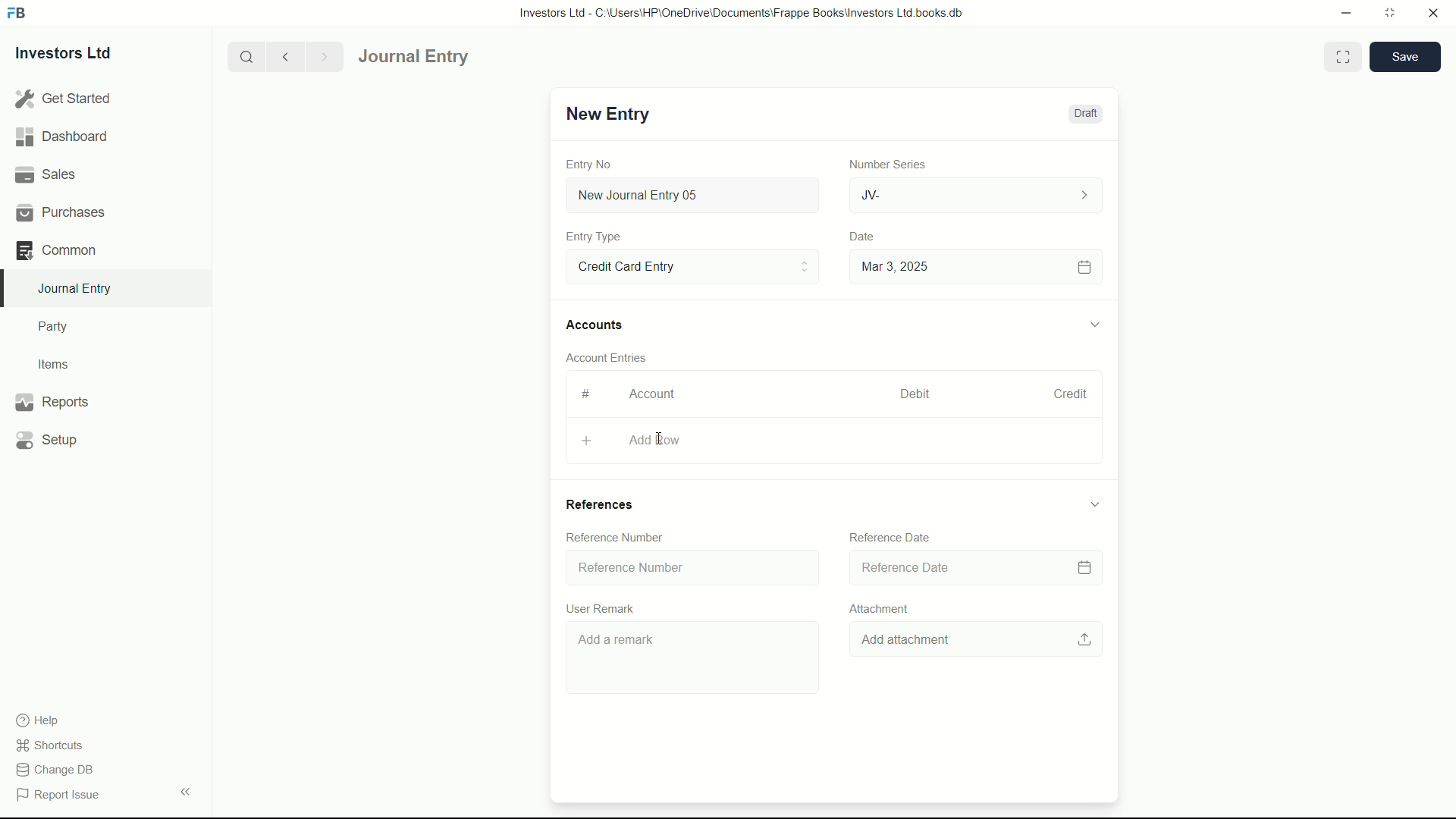  Describe the element at coordinates (284, 56) in the screenshot. I see `previous` at that location.